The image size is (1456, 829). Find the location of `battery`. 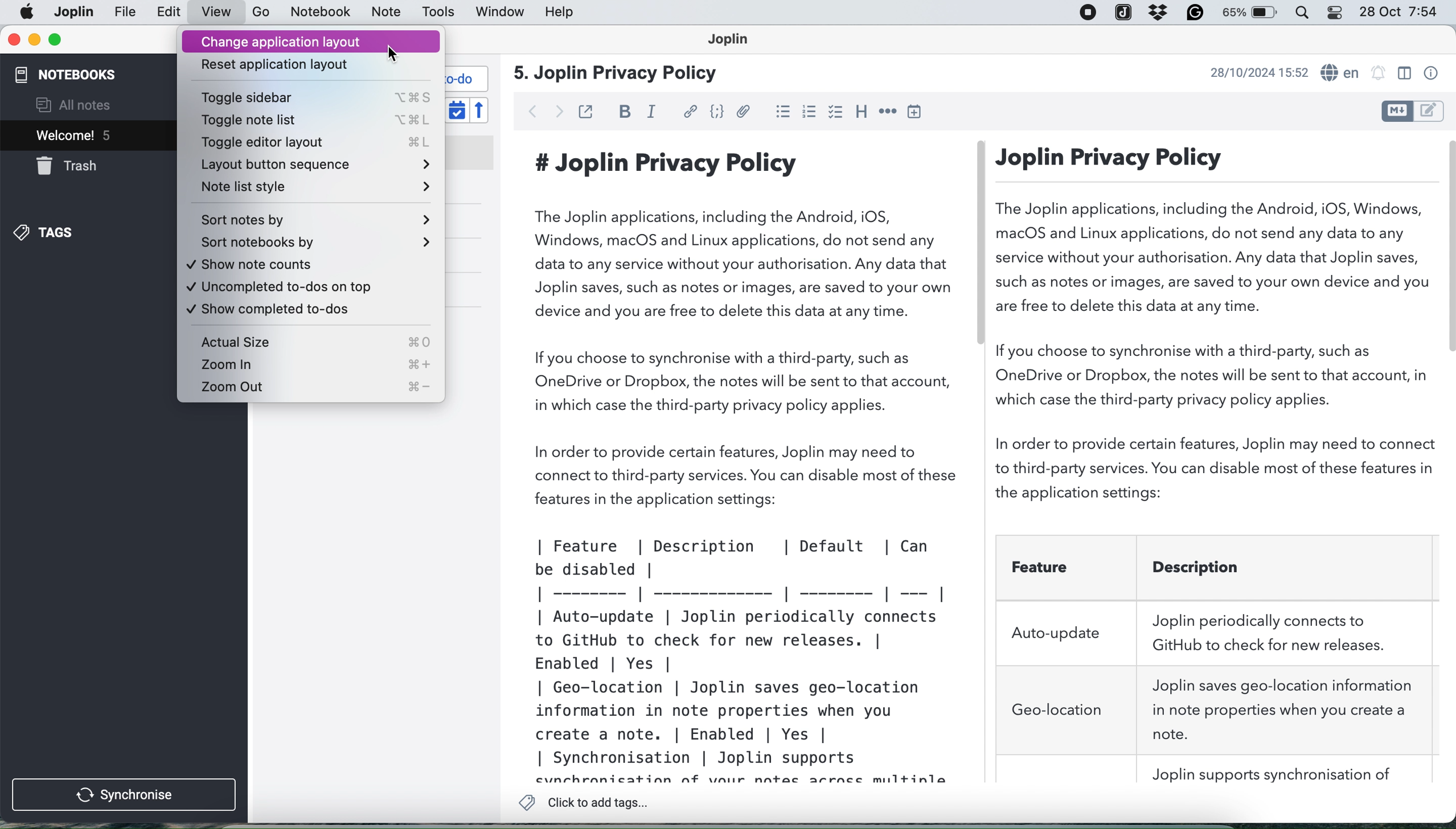

battery is located at coordinates (1252, 14).